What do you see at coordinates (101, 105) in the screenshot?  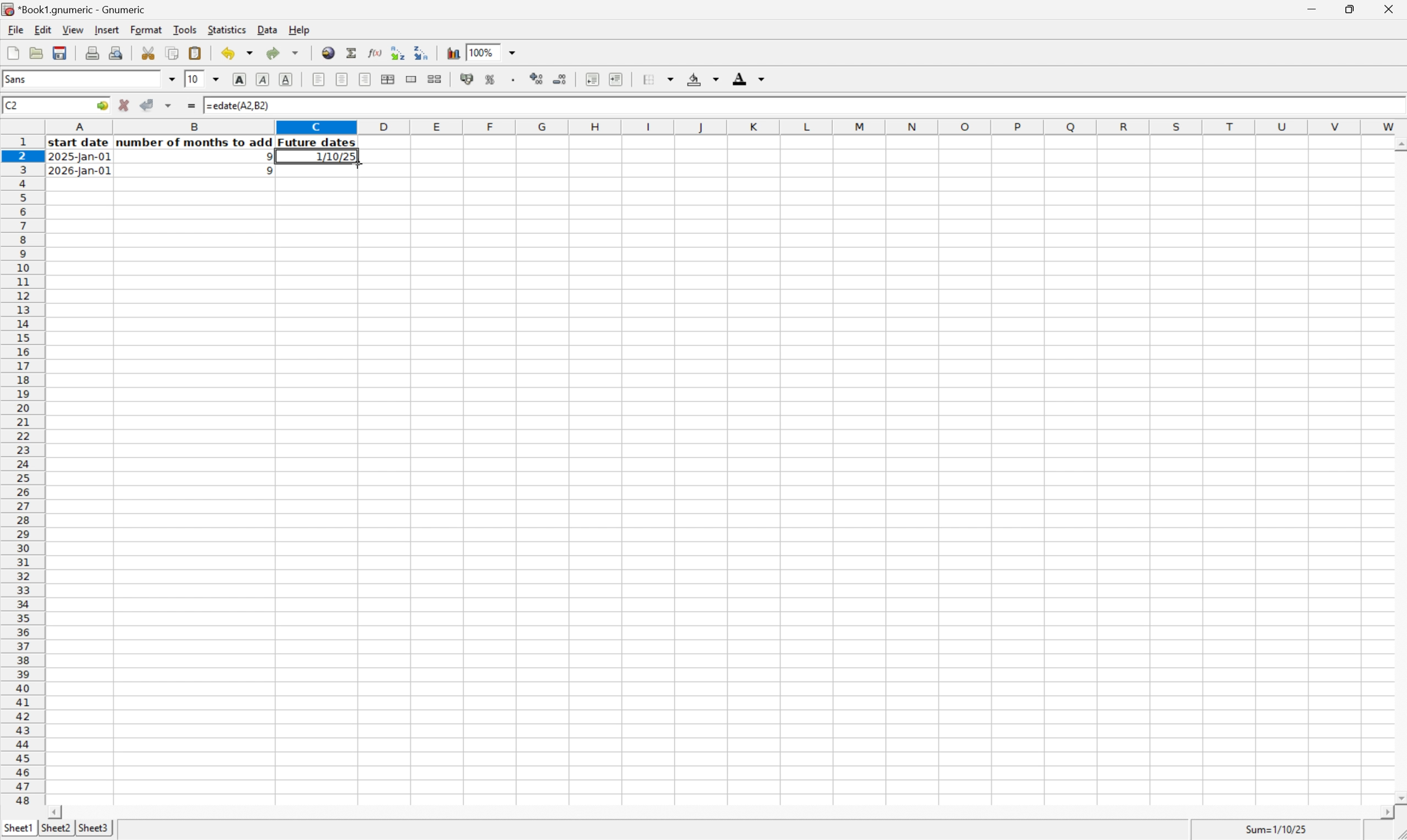 I see `Go to` at bounding box center [101, 105].